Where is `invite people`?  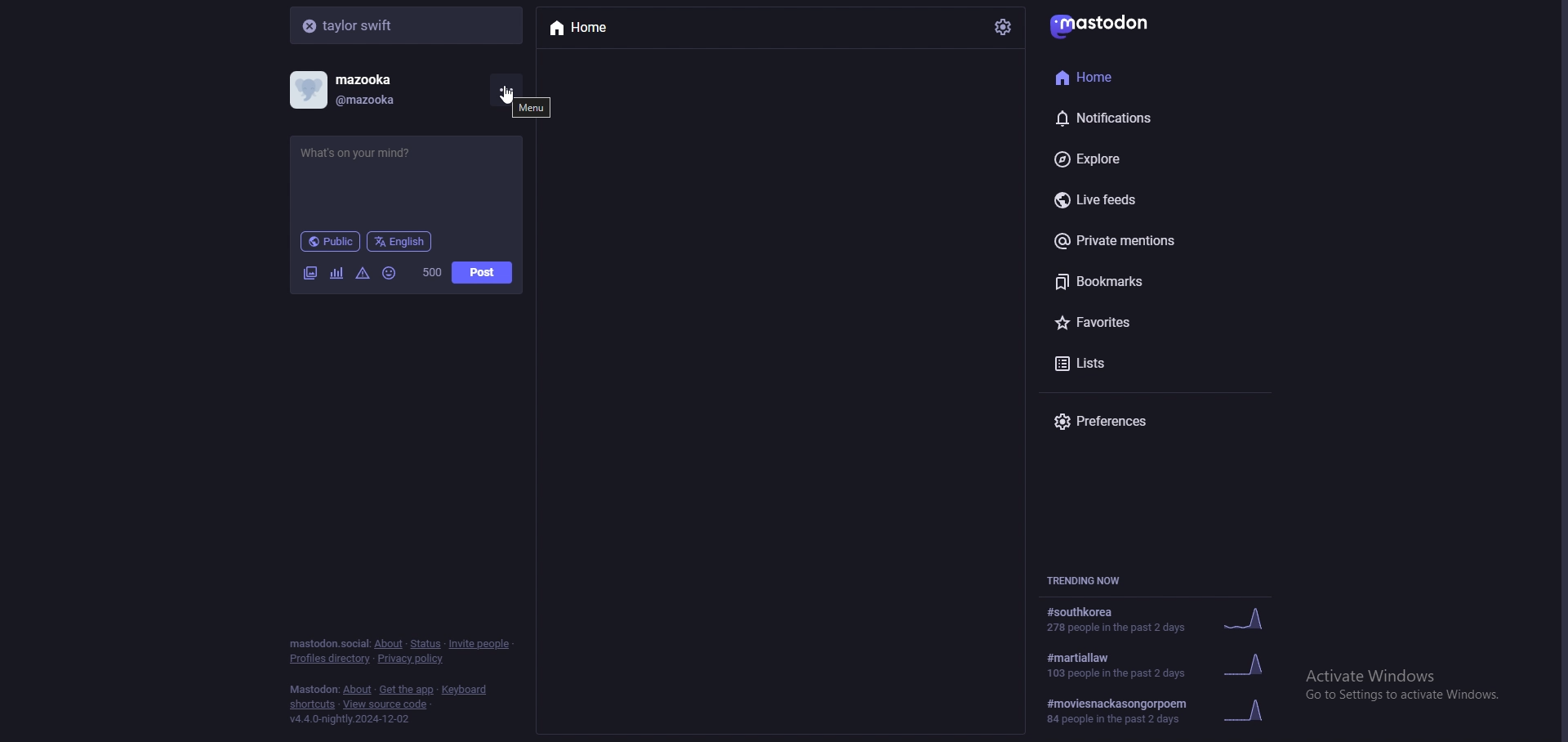 invite people is located at coordinates (483, 645).